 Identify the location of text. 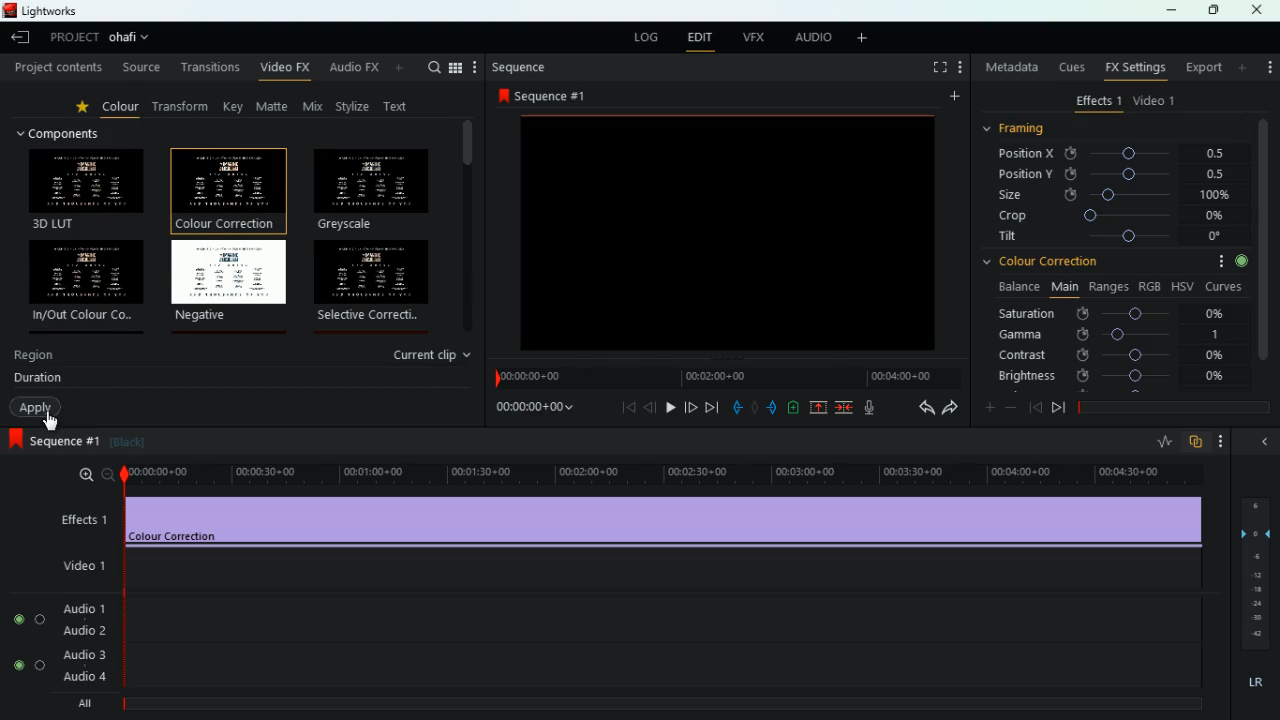
(400, 105).